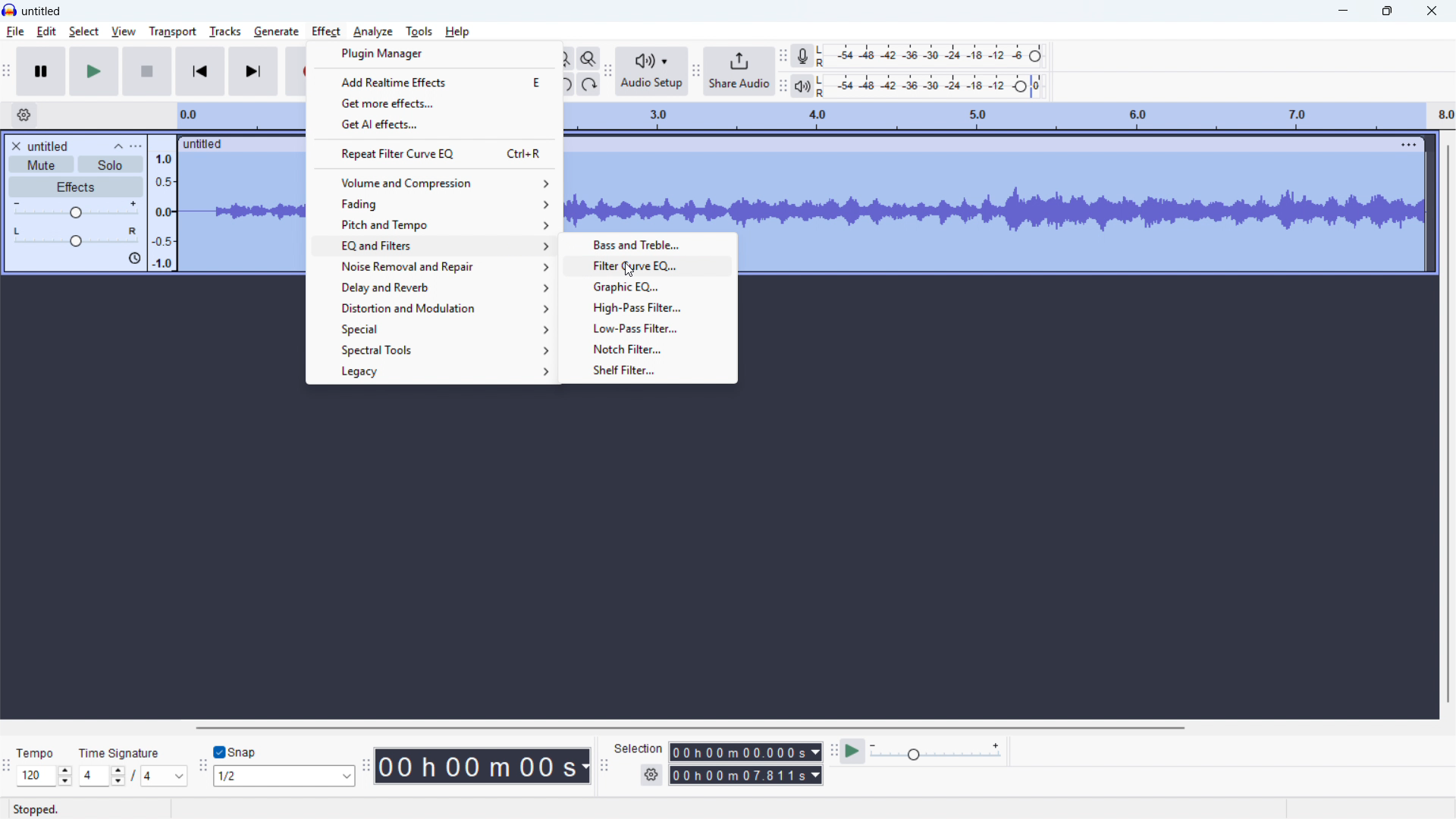 This screenshot has width=1456, height=819. I want to click on pan: centre, so click(76, 237).